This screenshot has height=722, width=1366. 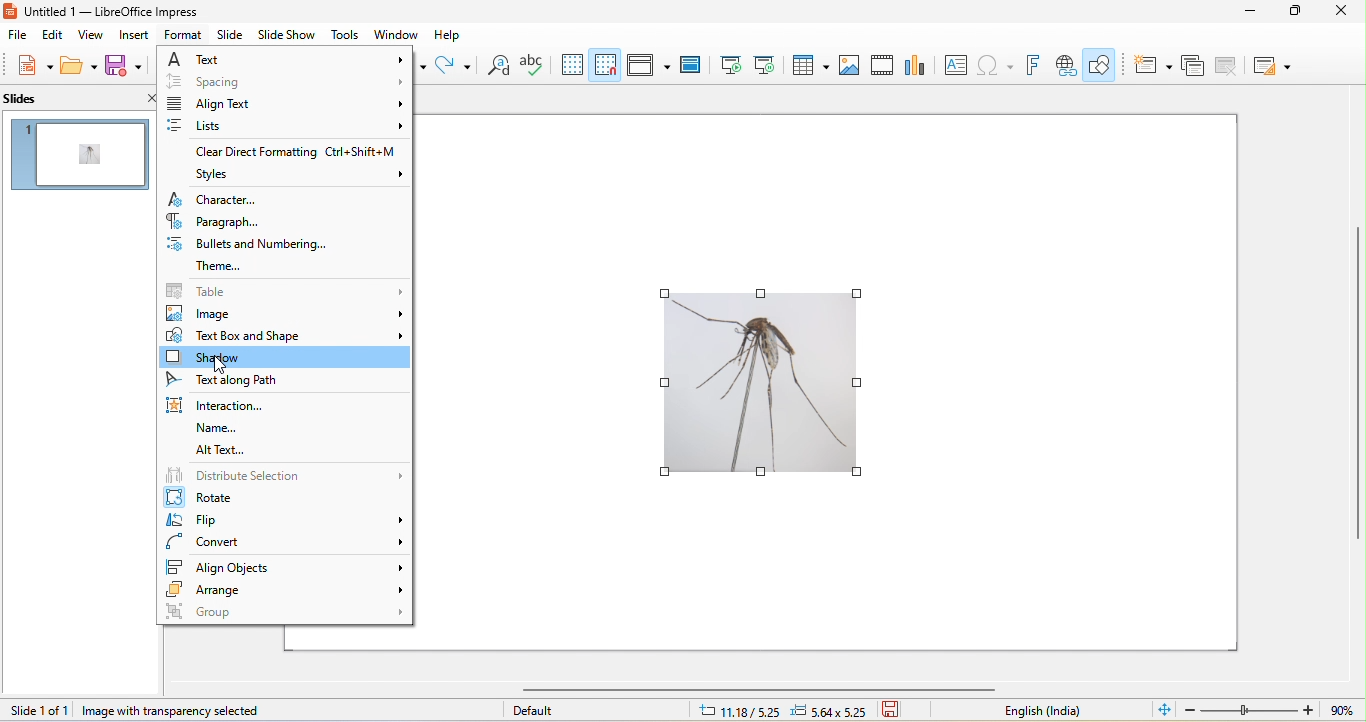 I want to click on tools, so click(x=344, y=36).